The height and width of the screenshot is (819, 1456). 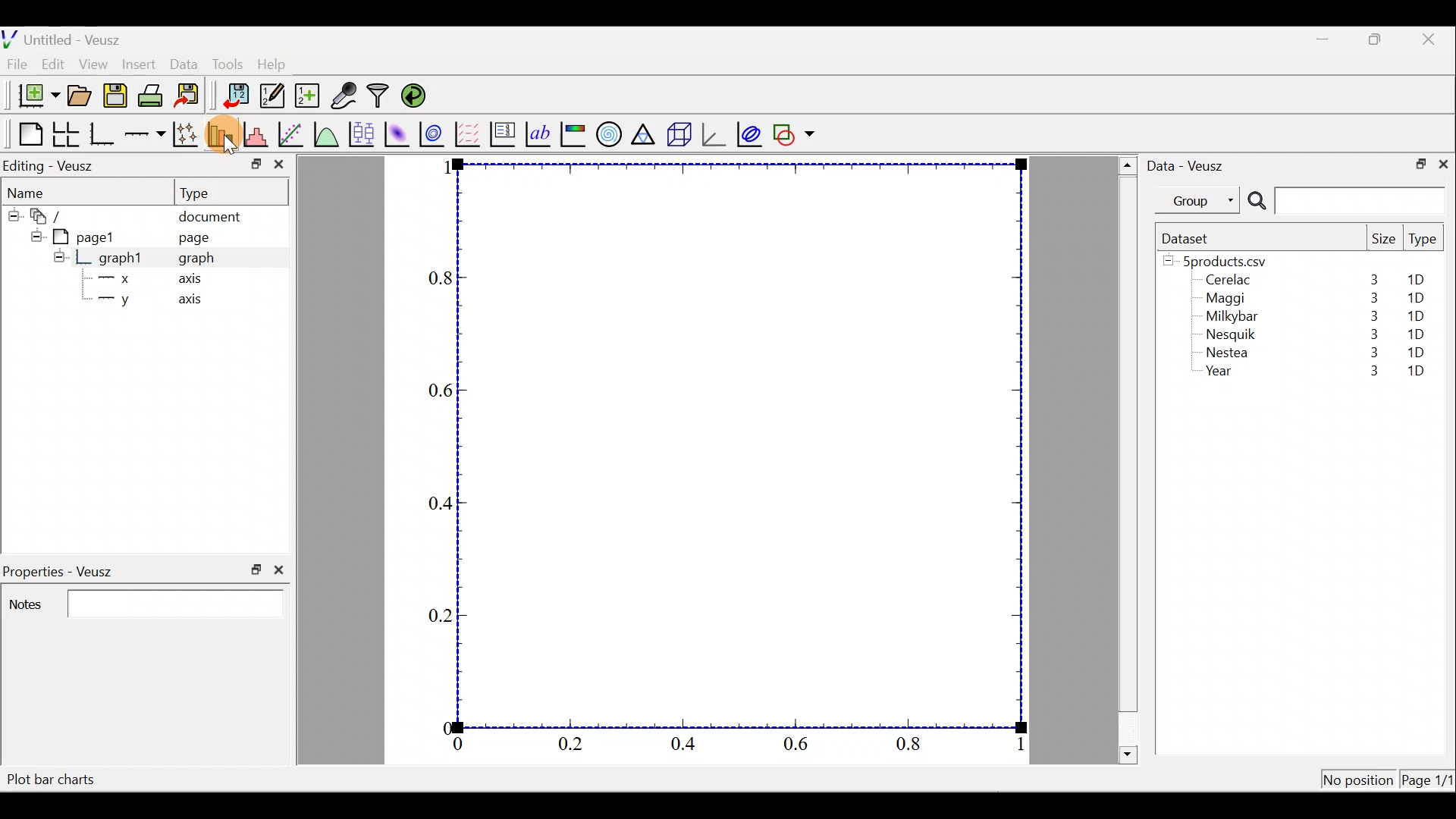 What do you see at coordinates (229, 136) in the screenshot?
I see `Cursor` at bounding box center [229, 136].